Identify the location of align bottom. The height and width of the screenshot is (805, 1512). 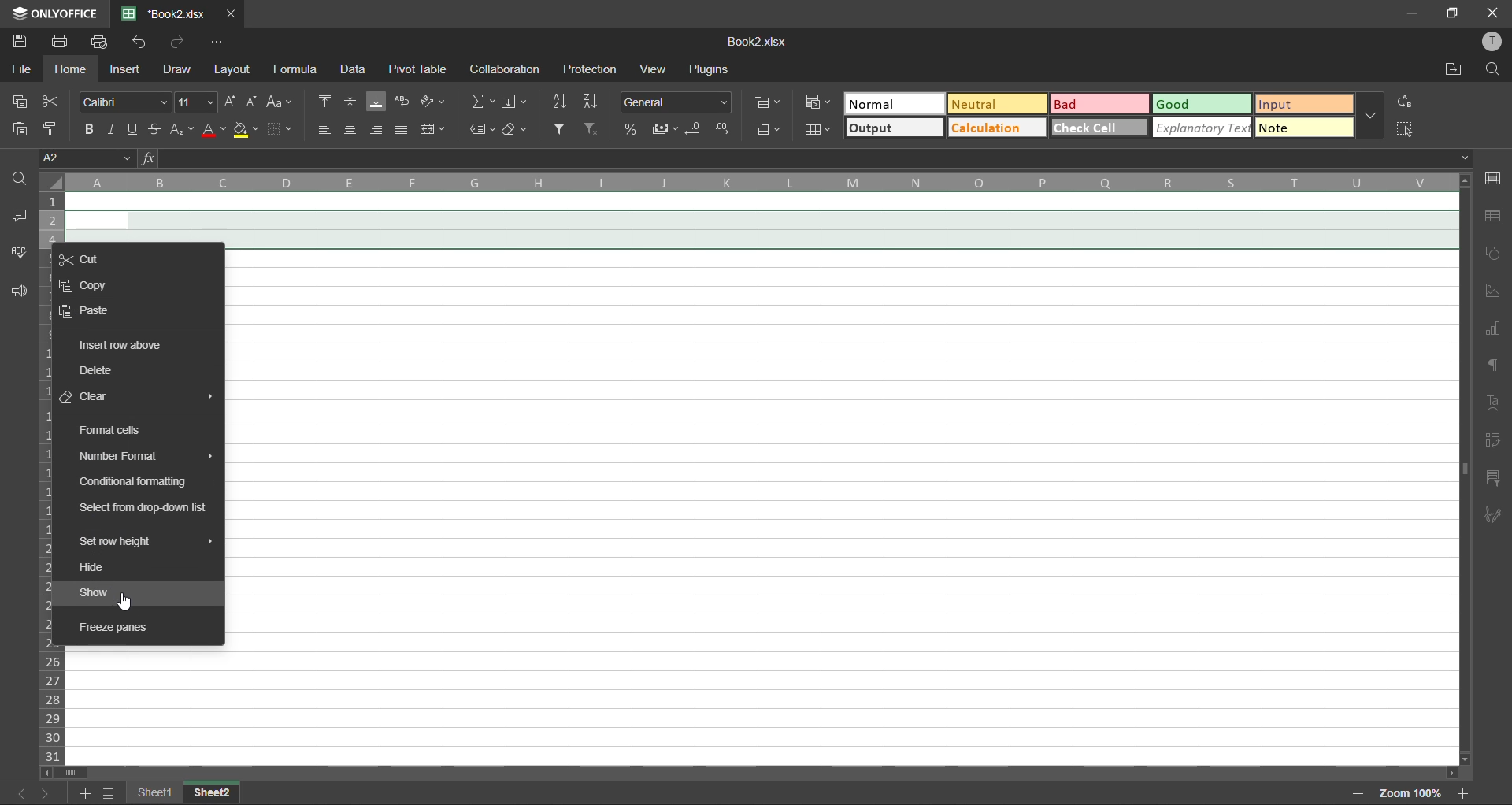
(373, 102).